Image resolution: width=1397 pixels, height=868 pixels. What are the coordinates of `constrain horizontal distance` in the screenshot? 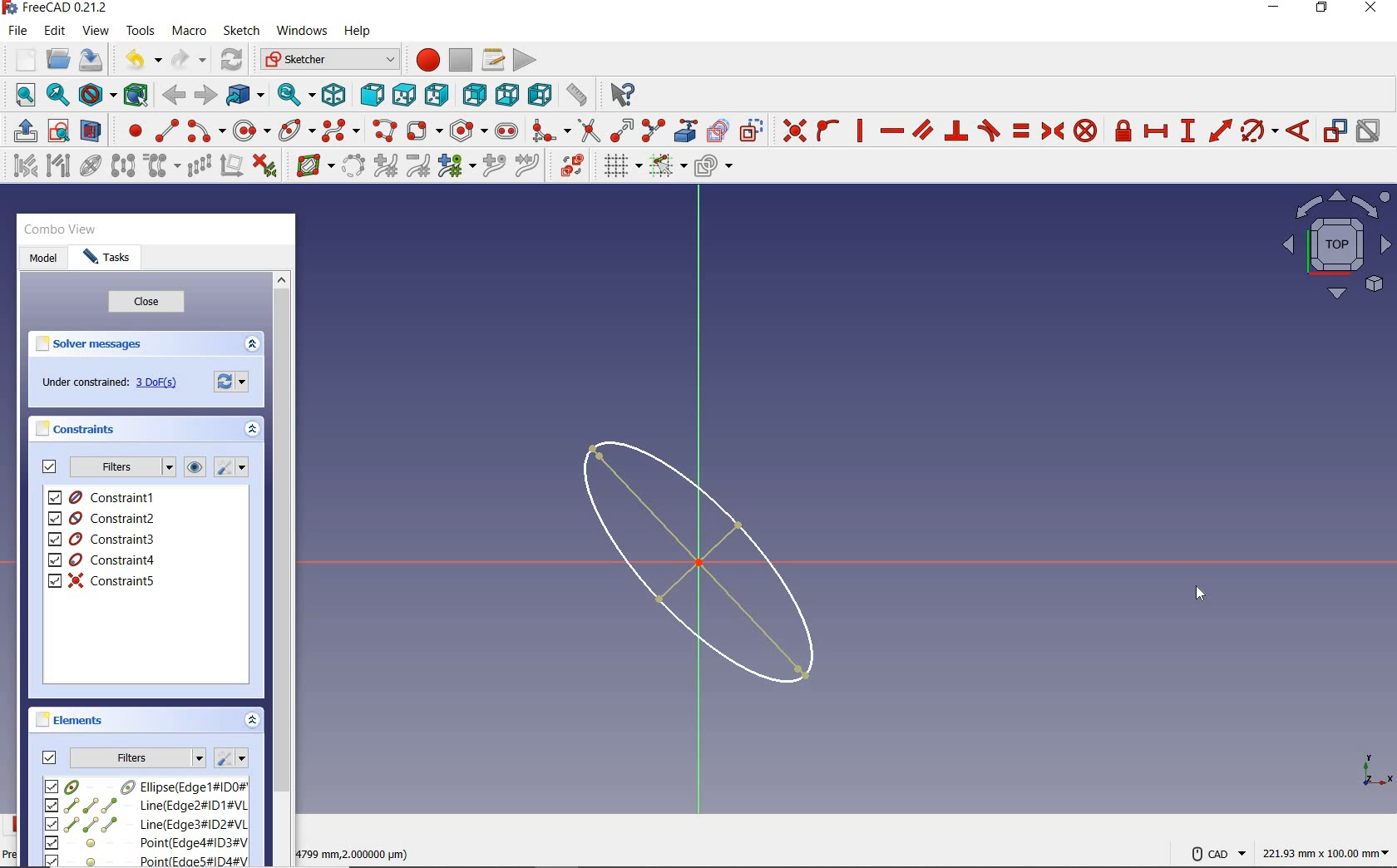 It's located at (1155, 130).